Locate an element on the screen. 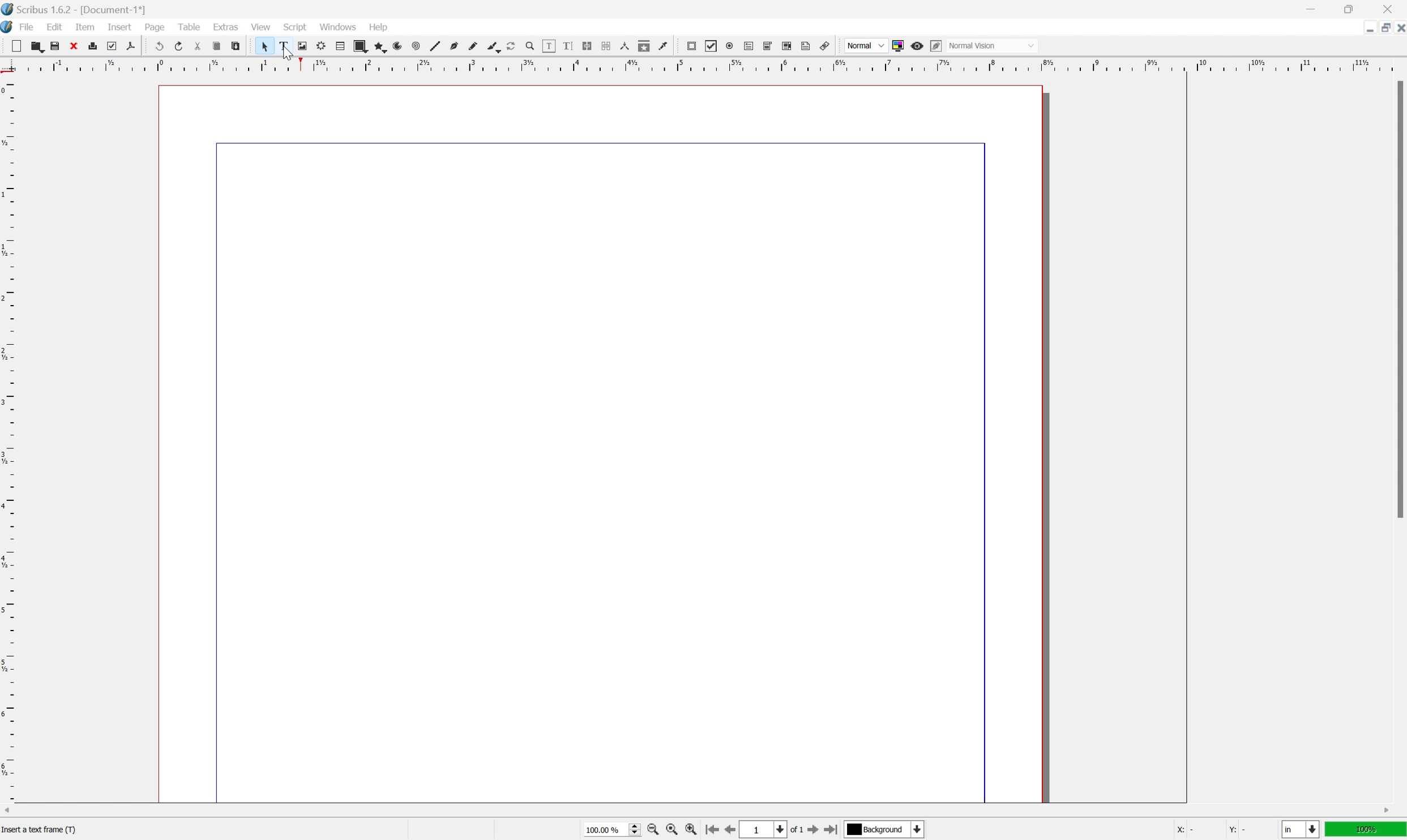 Image resolution: width=1407 pixels, height=840 pixels. pdf list box is located at coordinates (786, 45).